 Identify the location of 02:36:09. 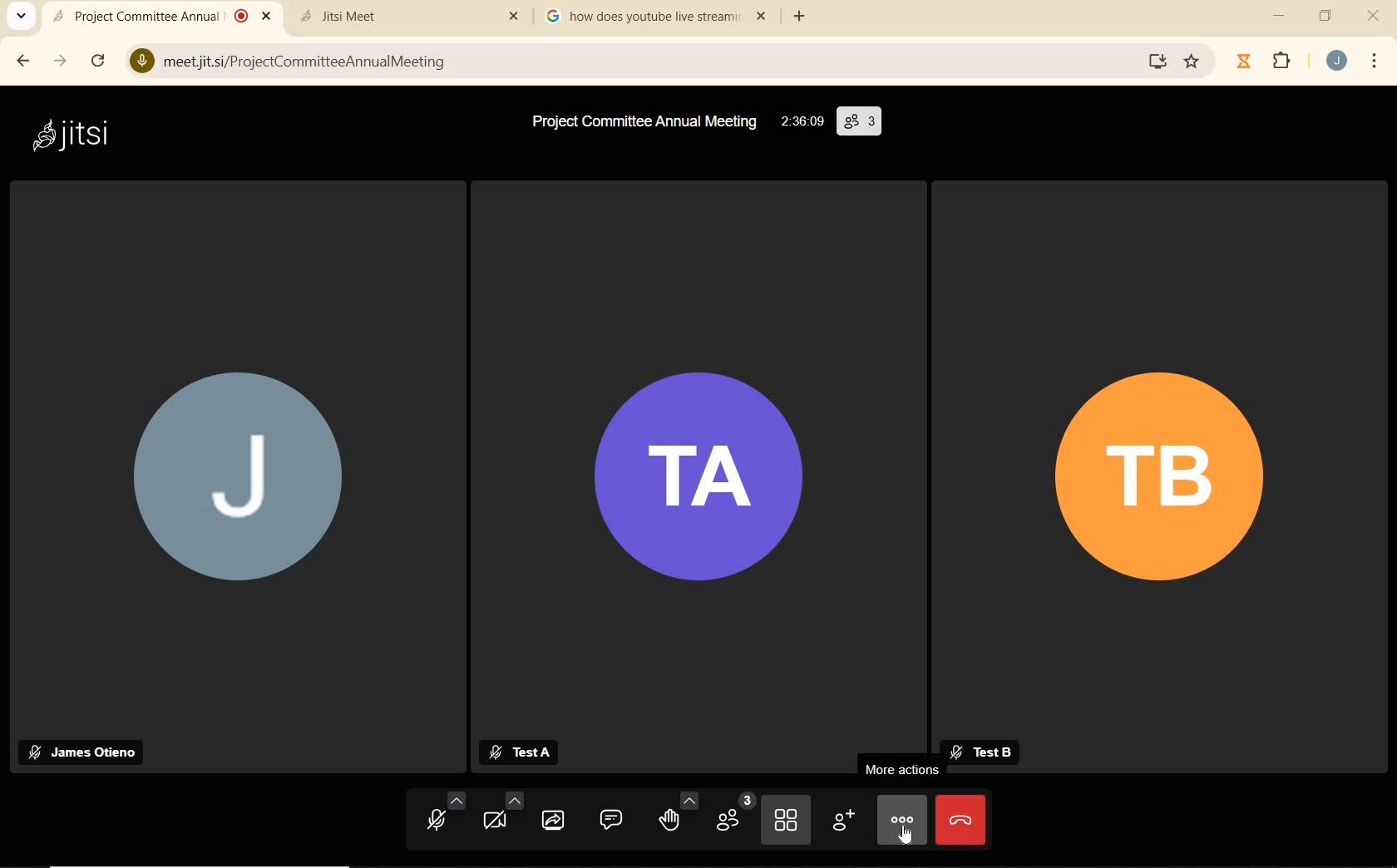
(800, 121).